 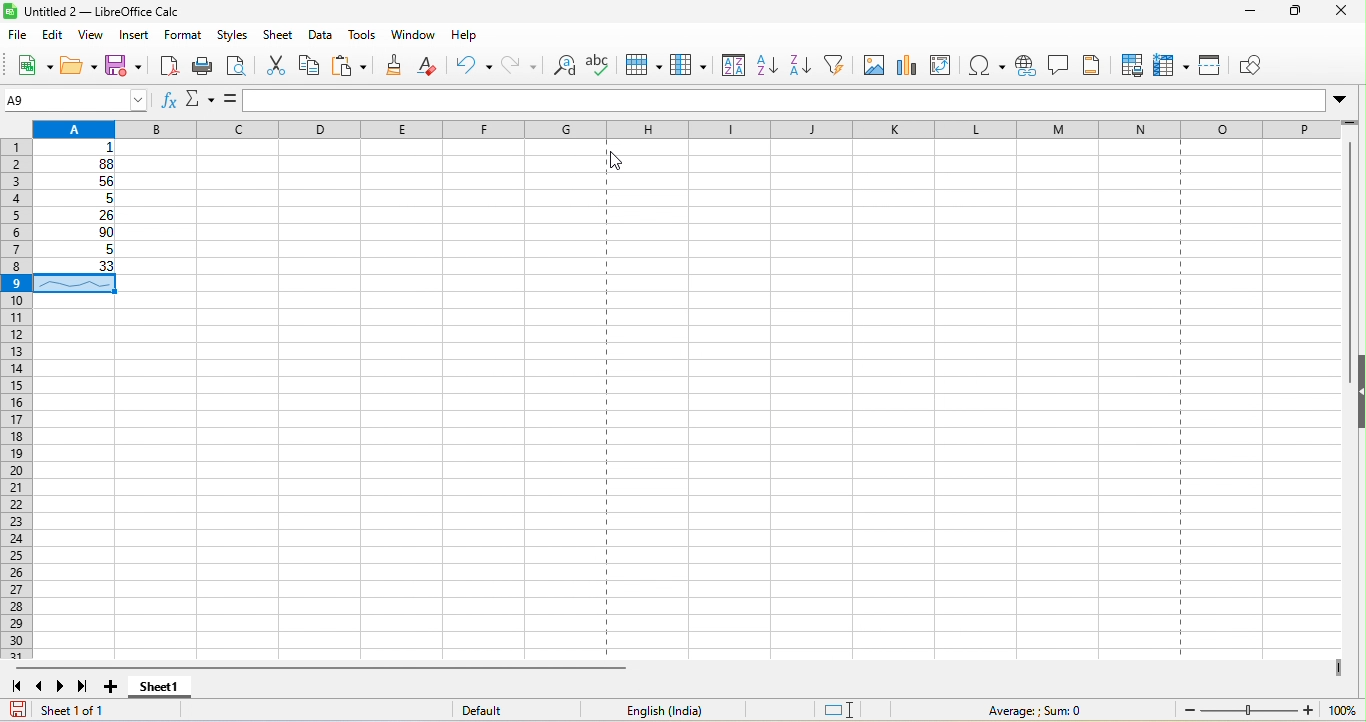 What do you see at coordinates (363, 36) in the screenshot?
I see `tools` at bounding box center [363, 36].